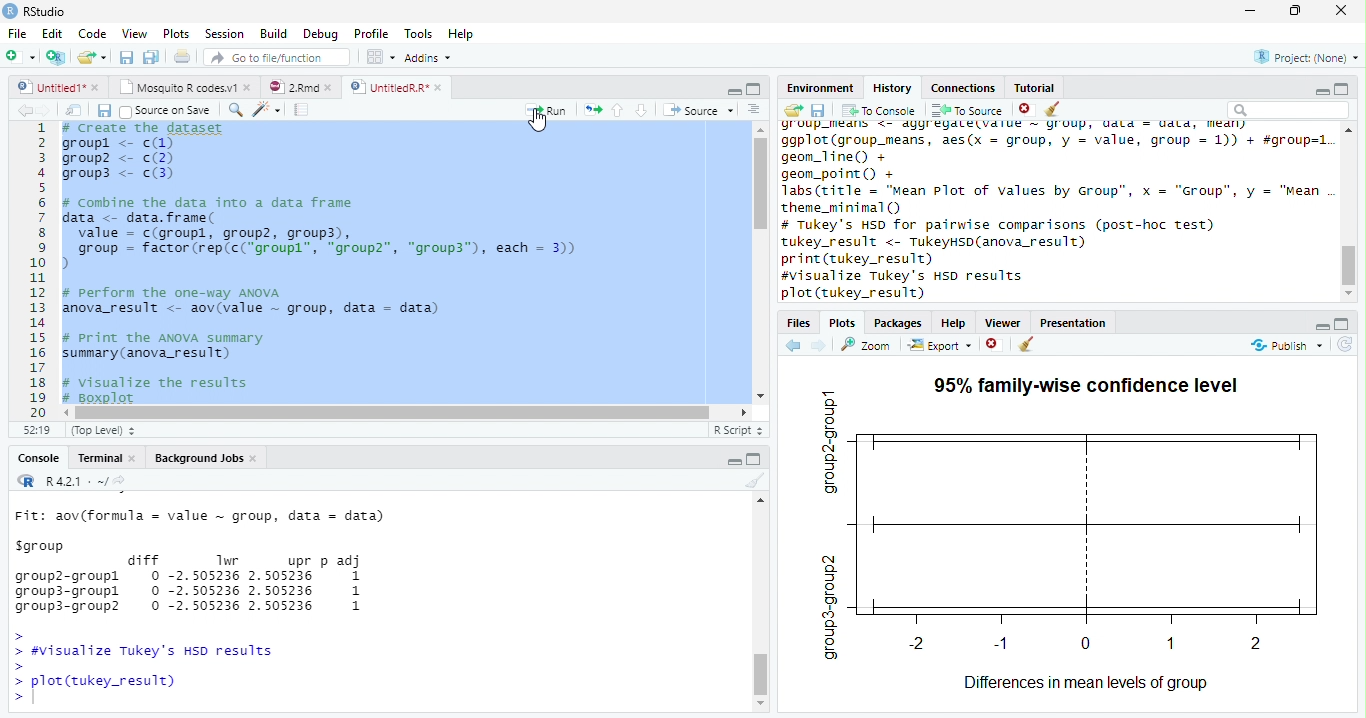  Describe the element at coordinates (1251, 12) in the screenshot. I see `Minimize` at that location.